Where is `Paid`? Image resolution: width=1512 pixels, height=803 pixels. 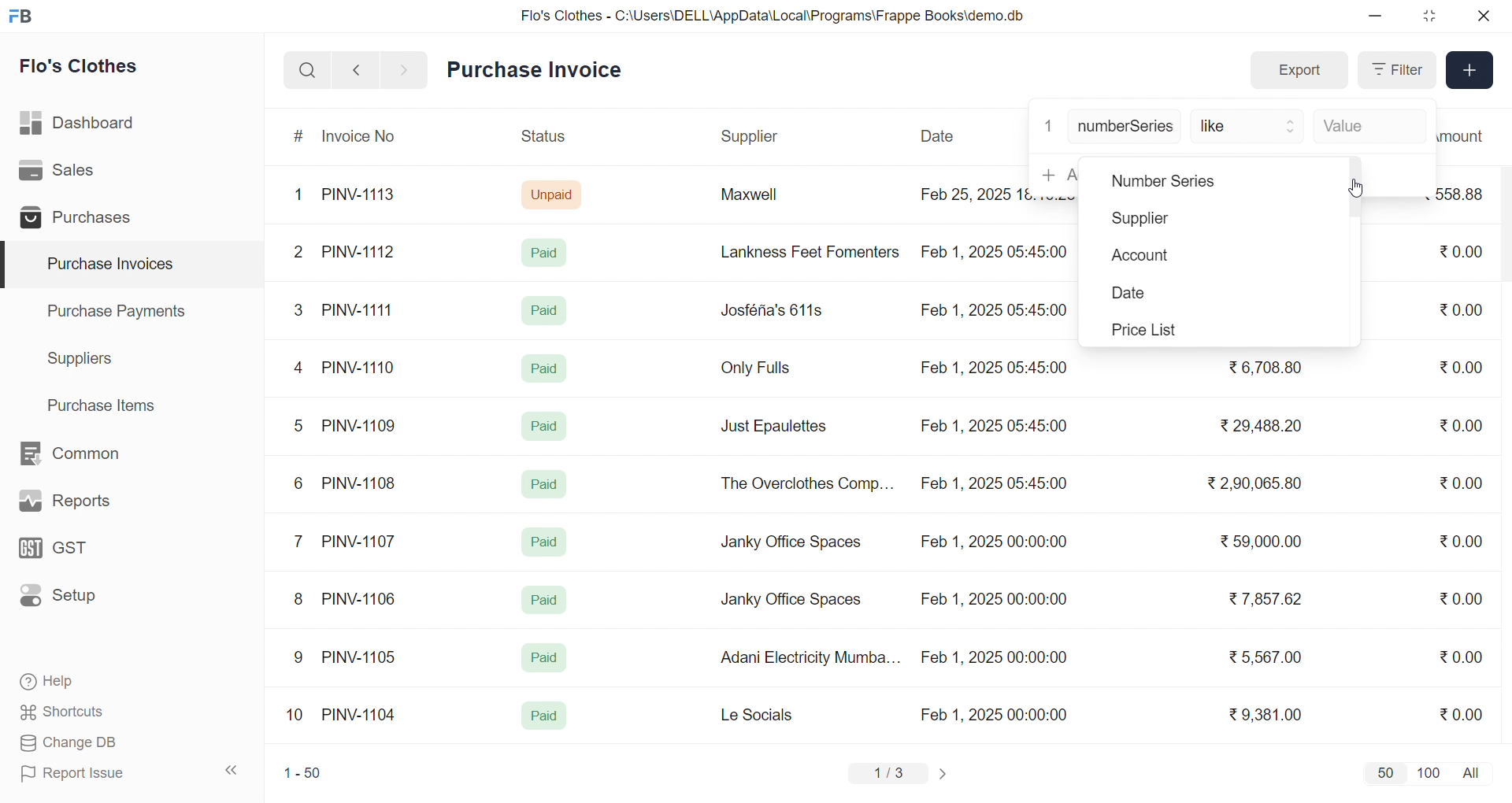 Paid is located at coordinates (545, 542).